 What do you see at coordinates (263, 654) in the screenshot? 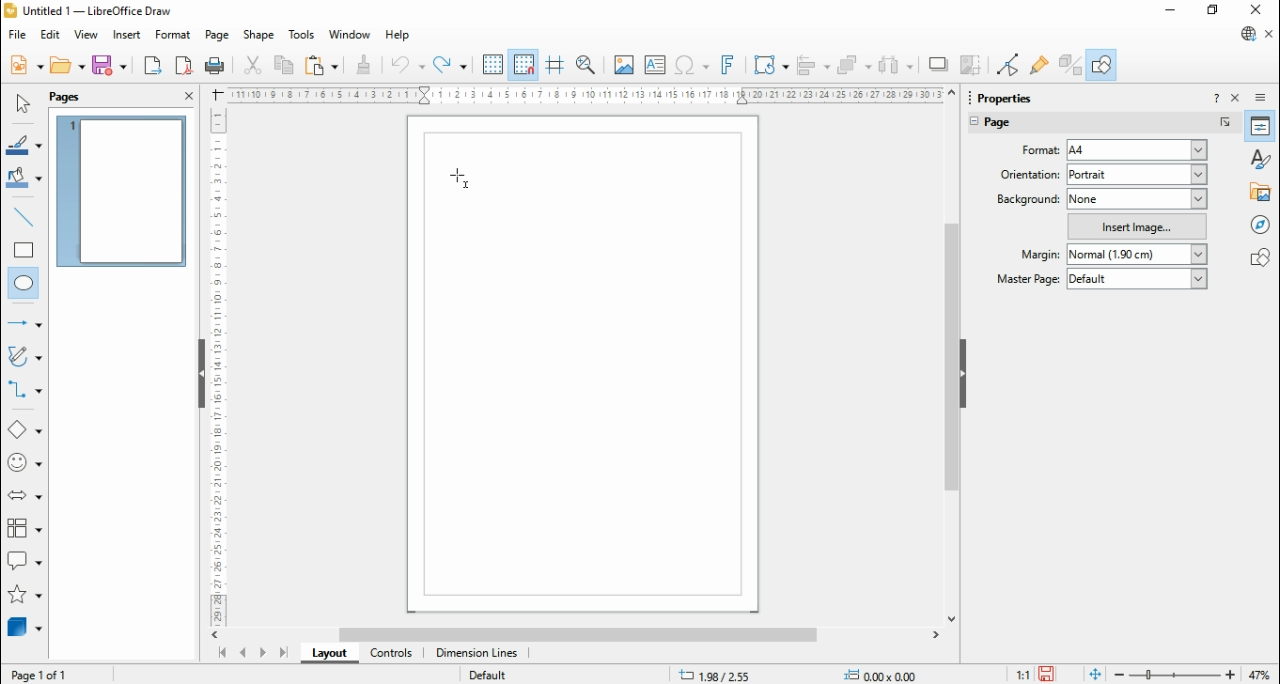
I see `next page` at bounding box center [263, 654].